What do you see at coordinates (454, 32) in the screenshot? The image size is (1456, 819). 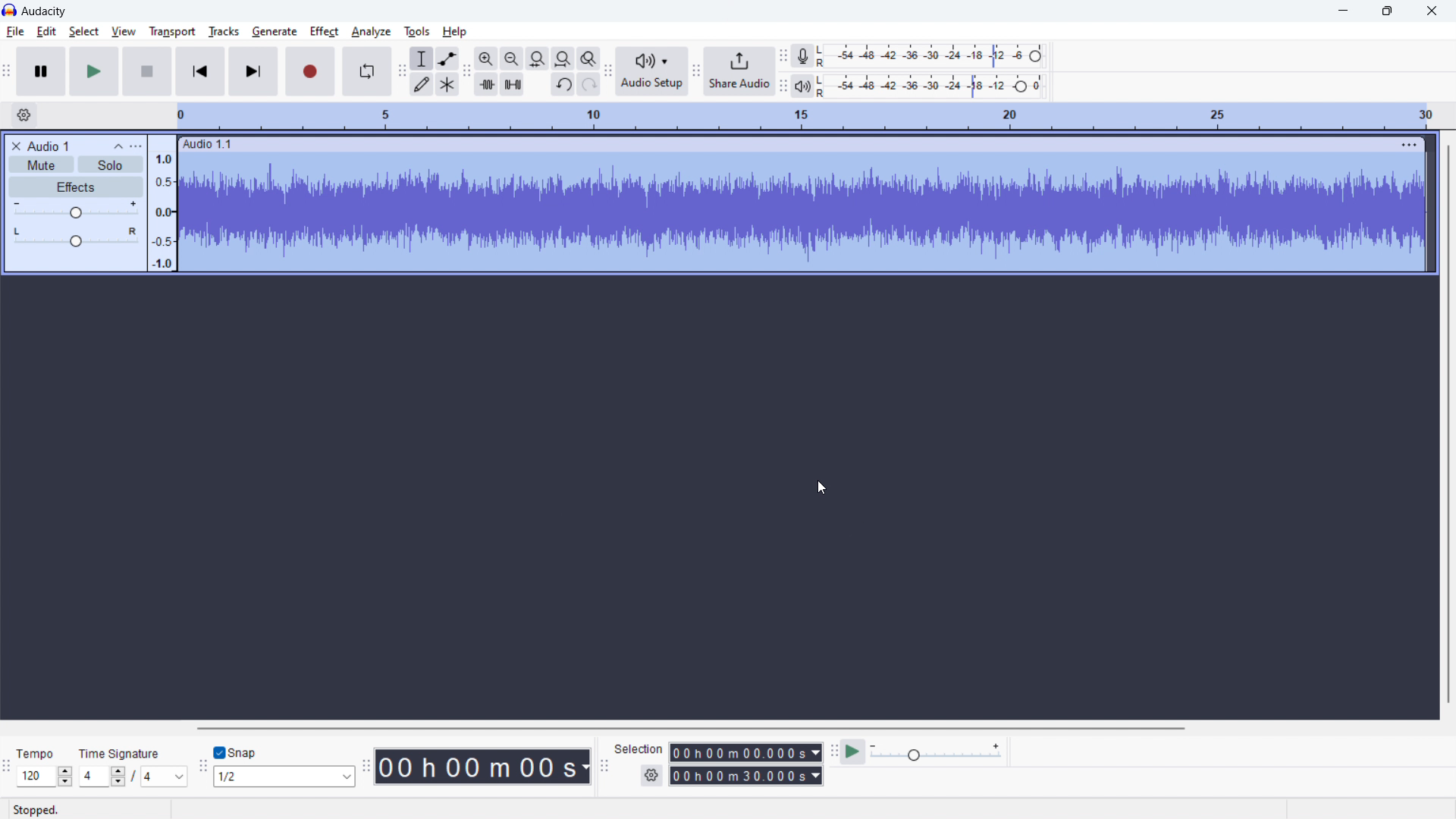 I see `help` at bounding box center [454, 32].